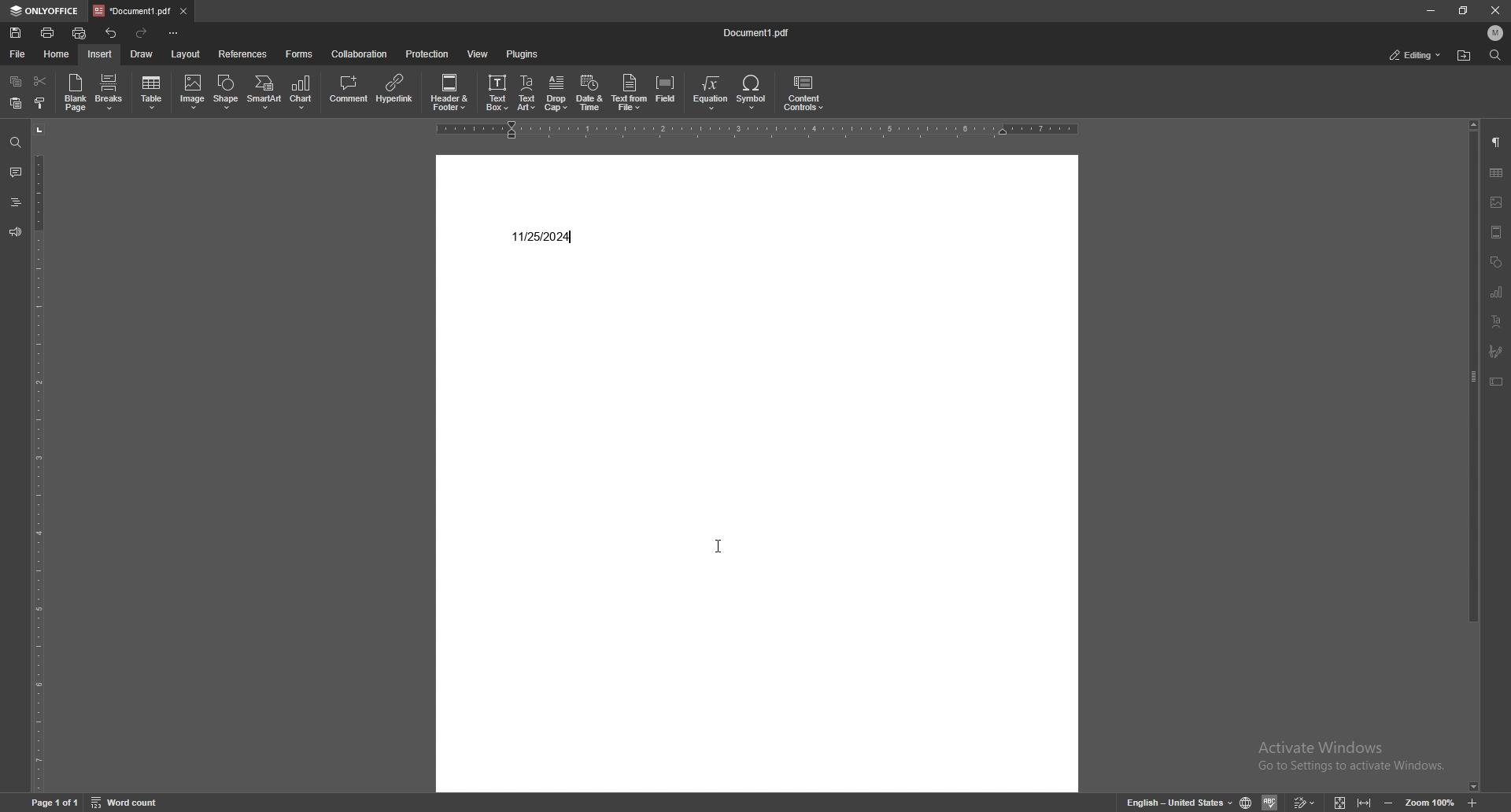 Image resolution: width=1511 pixels, height=812 pixels. Describe the element at coordinates (142, 54) in the screenshot. I see `draw` at that location.